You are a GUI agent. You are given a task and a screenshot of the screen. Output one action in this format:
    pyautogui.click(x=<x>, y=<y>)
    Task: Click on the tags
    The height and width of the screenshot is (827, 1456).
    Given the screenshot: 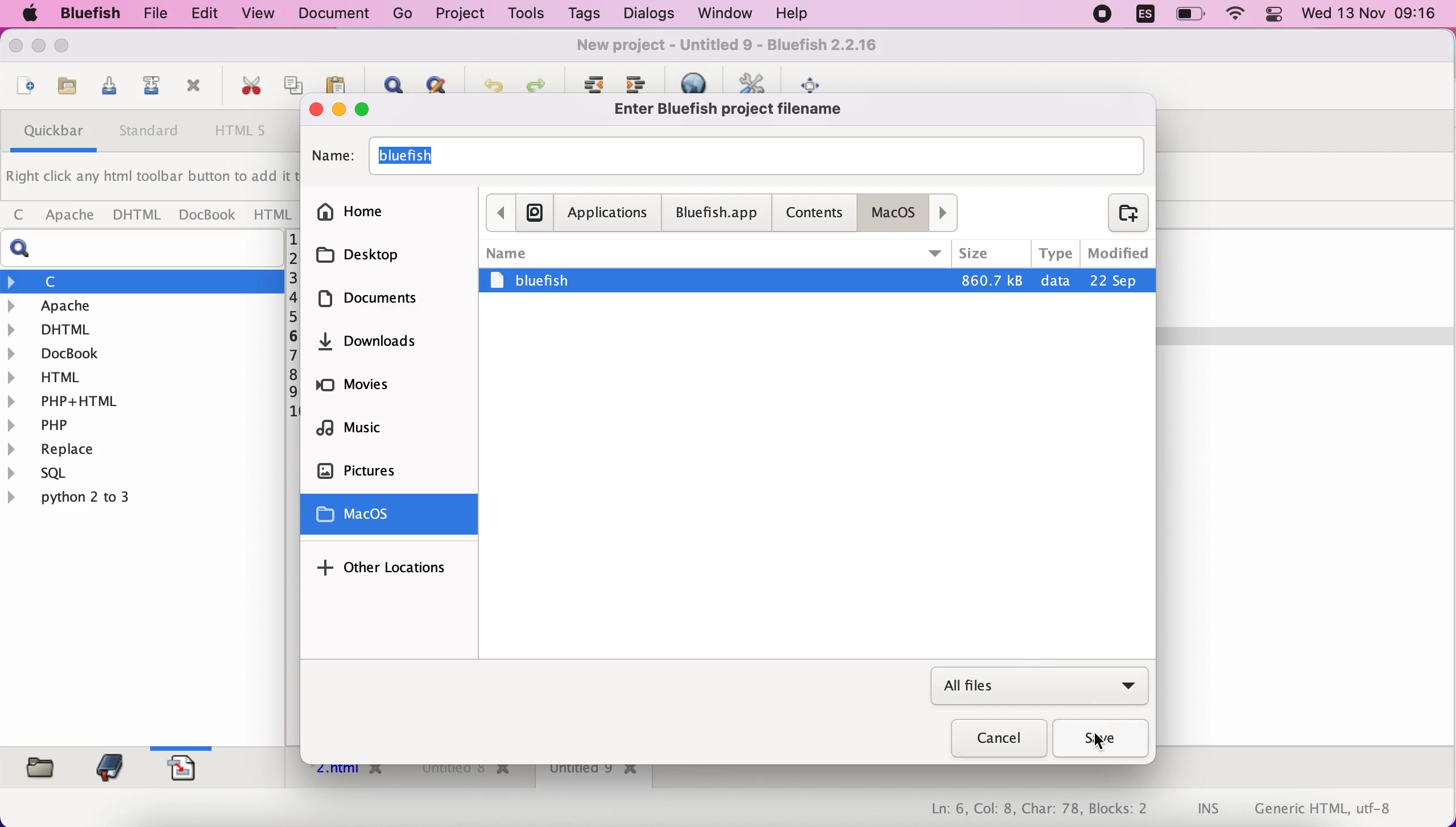 What is the action you would take?
    pyautogui.click(x=584, y=16)
    